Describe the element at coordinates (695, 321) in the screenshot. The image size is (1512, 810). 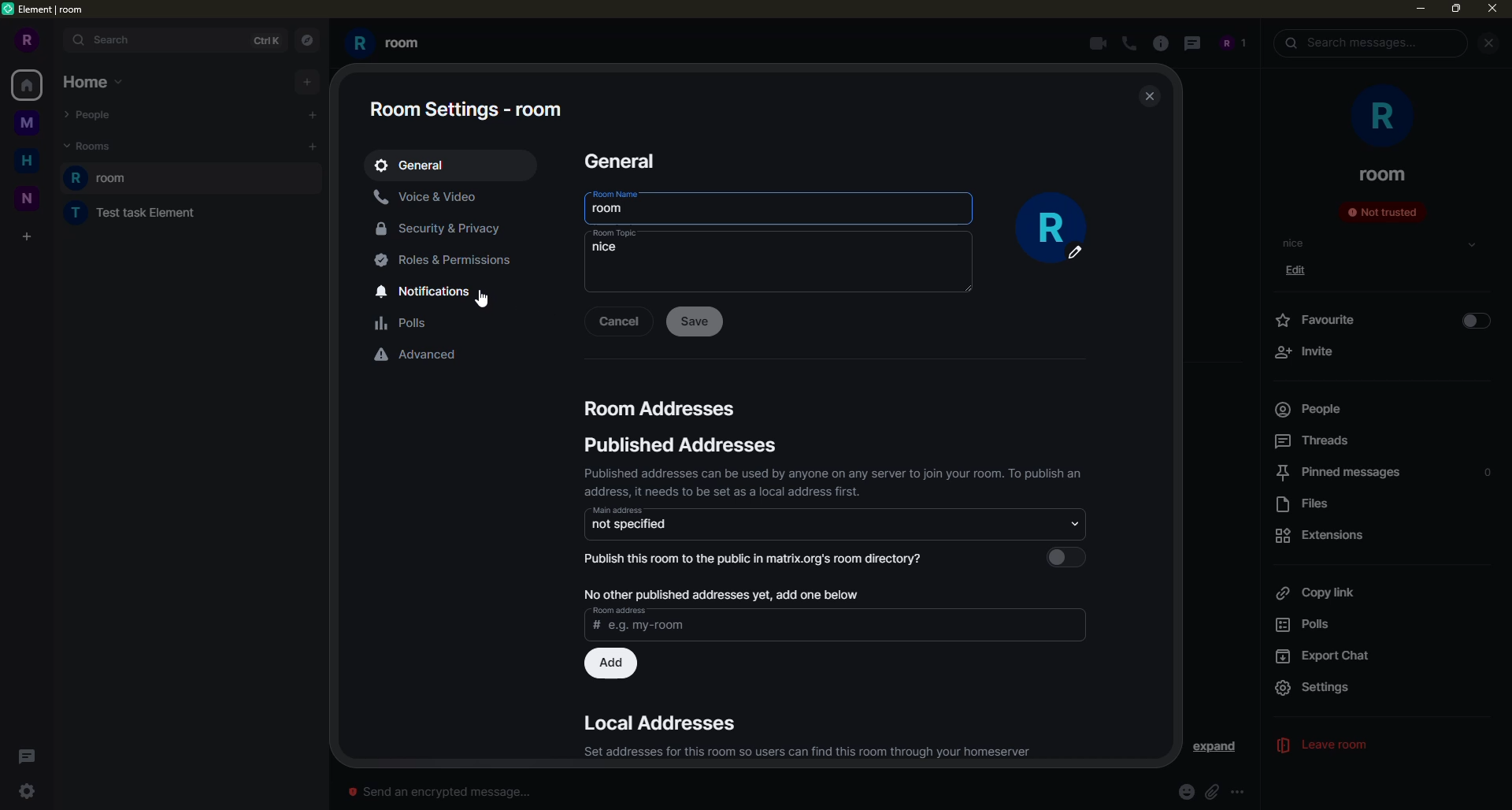
I see `save` at that location.